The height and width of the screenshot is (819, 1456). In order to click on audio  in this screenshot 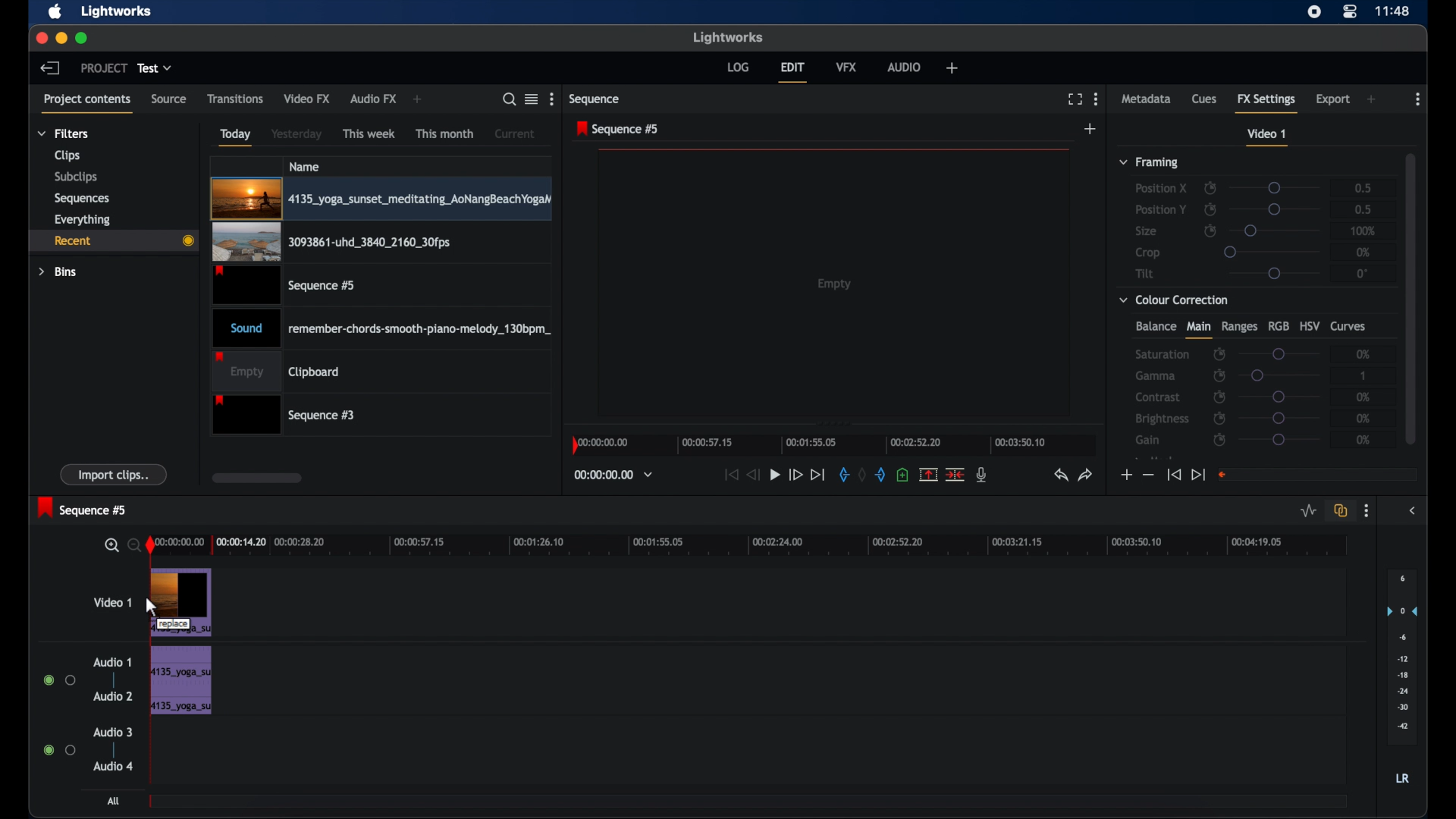, I will do `click(182, 680)`.